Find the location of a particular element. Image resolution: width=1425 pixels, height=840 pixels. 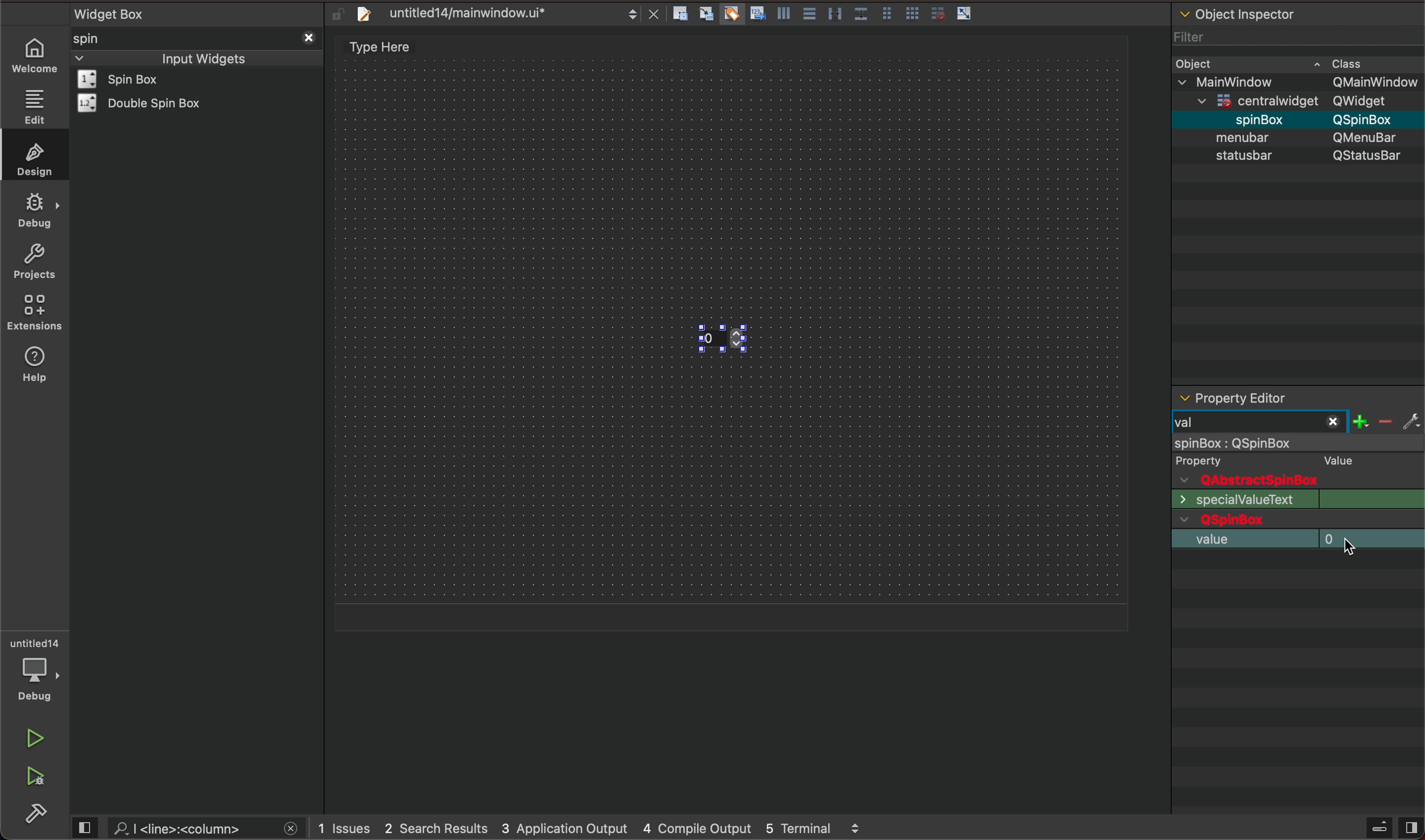

 is located at coordinates (1368, 119).